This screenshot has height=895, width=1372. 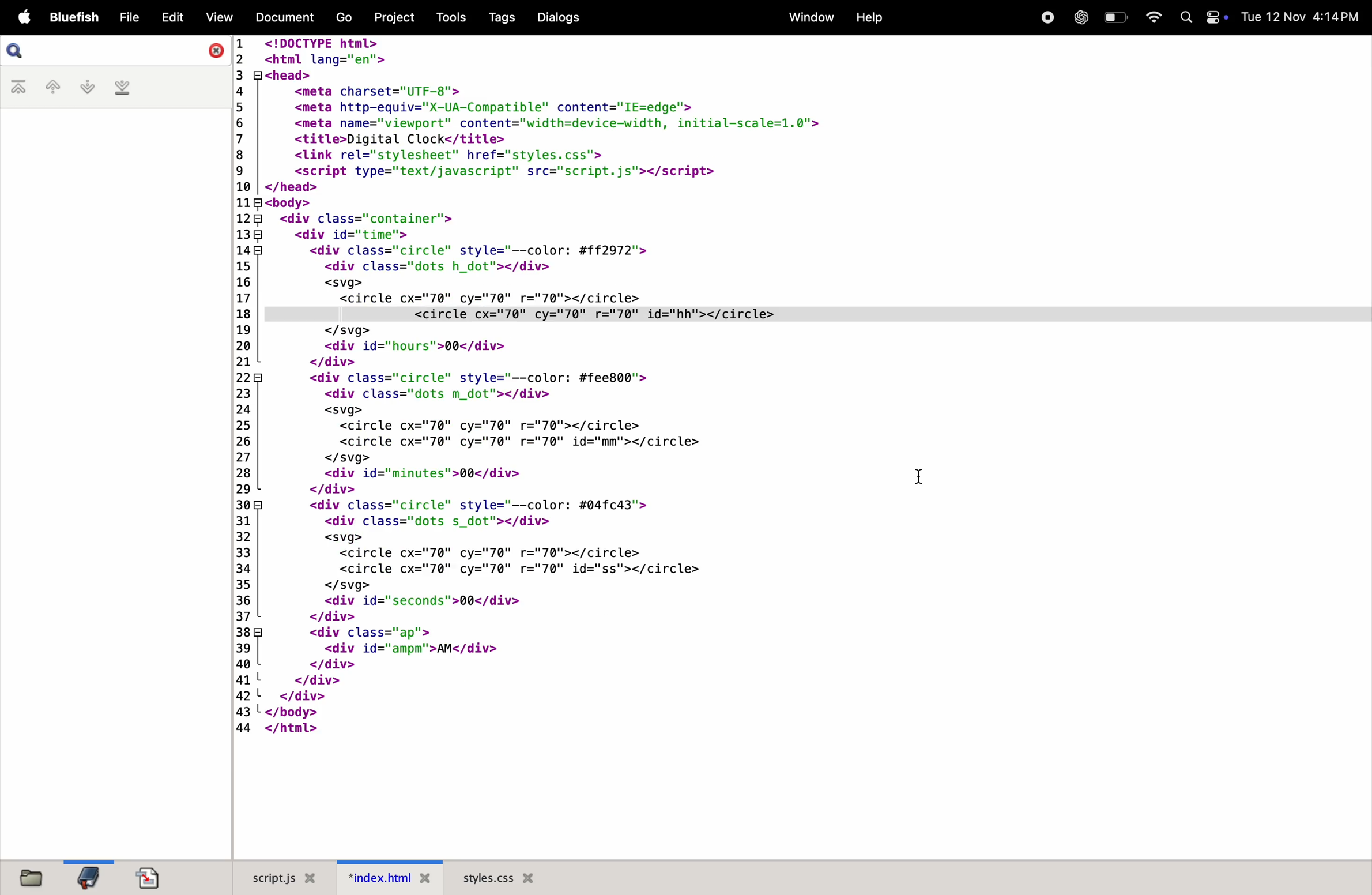 I want to click on Spotlight, so click(x=1186, y=17).